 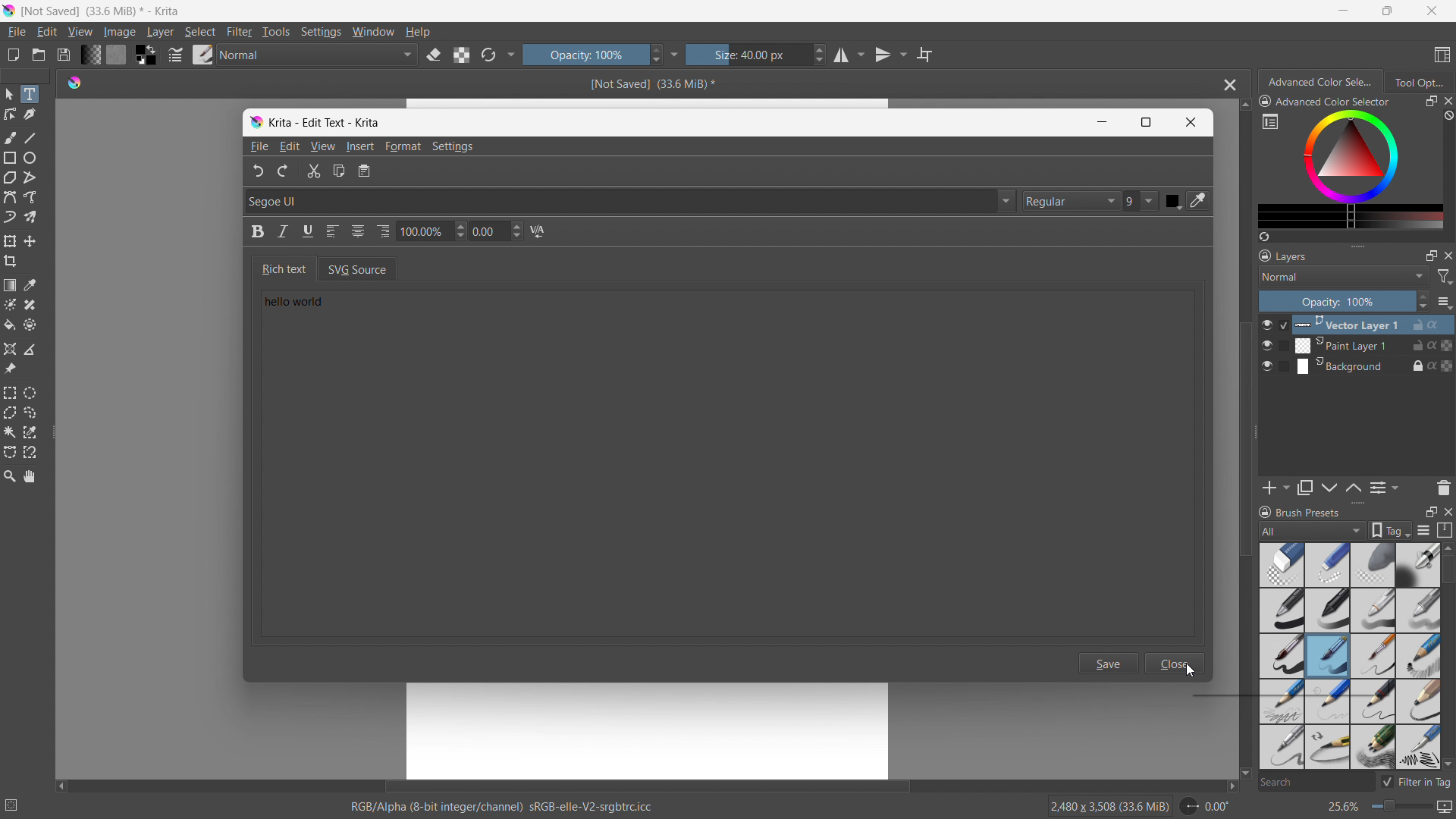 I want to click on brush presets, so click(x=1299, y=511).